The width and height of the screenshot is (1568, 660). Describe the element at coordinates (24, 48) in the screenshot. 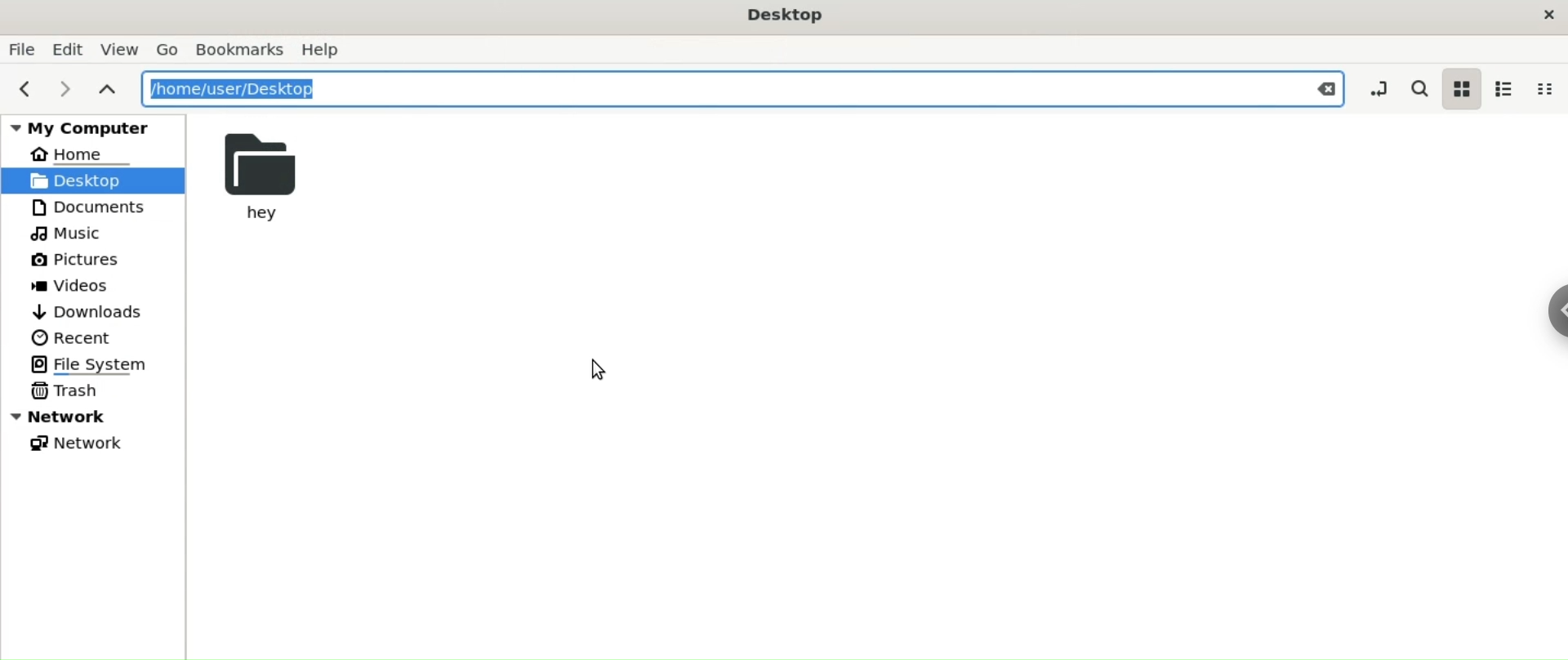

I see `File` at that location.